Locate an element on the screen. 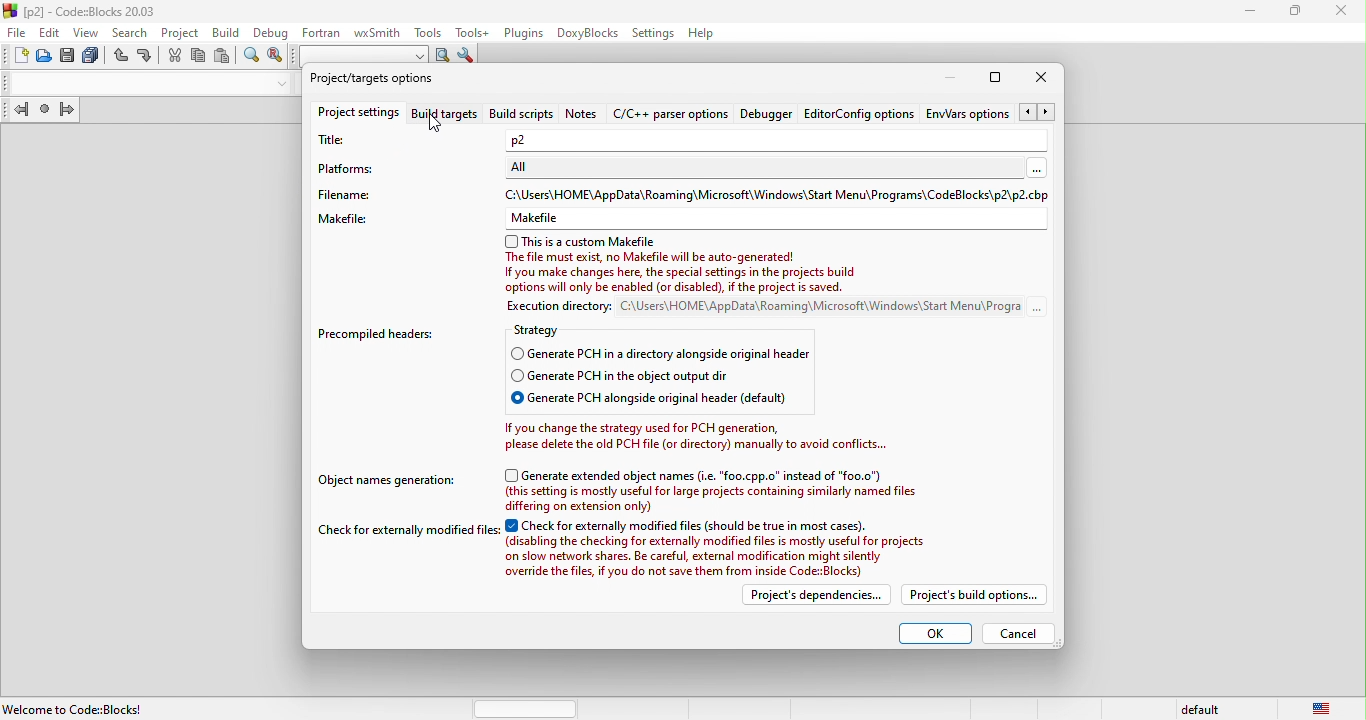 The image size is (1366, 720). Makefiles is located at coordinates (566, 217).